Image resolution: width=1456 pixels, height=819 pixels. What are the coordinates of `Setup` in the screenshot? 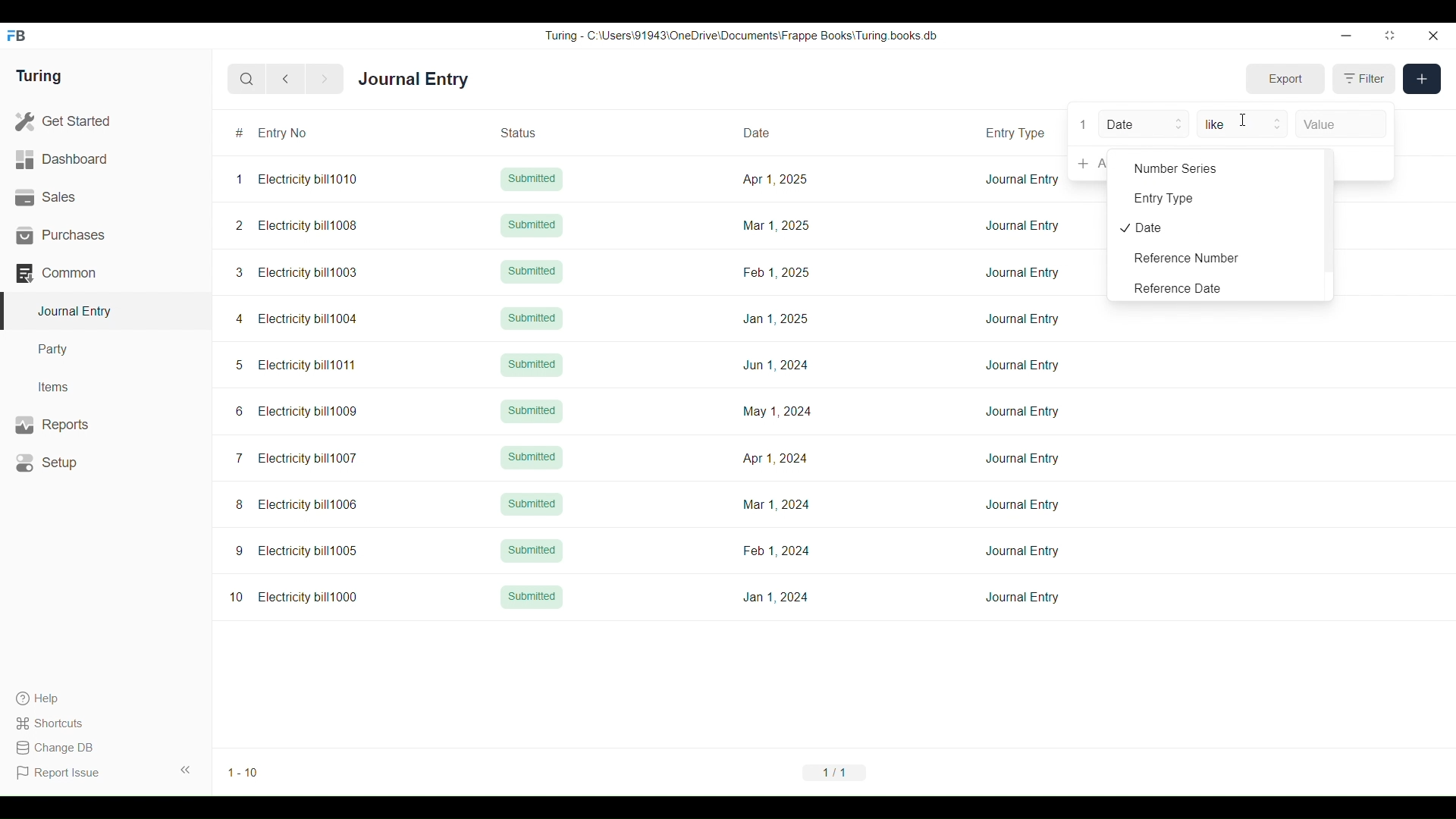 It's located at (106, 463).